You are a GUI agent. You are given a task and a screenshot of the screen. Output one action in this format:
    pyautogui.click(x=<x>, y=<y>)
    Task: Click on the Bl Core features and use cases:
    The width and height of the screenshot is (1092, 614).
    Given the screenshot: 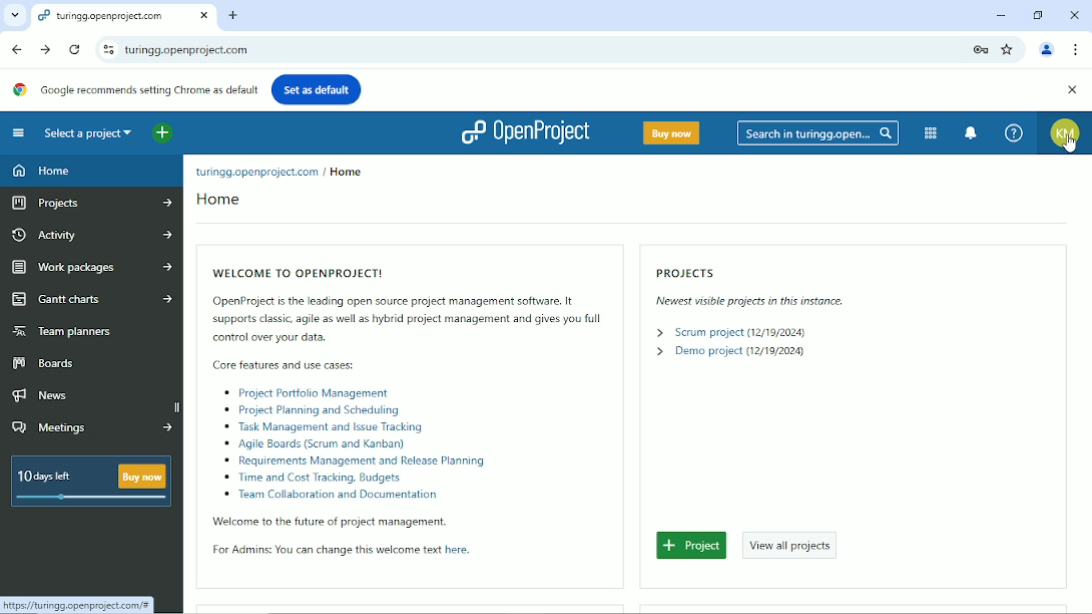 What is the action you would take?
    pyautogui.click(x=285, y=365)
    